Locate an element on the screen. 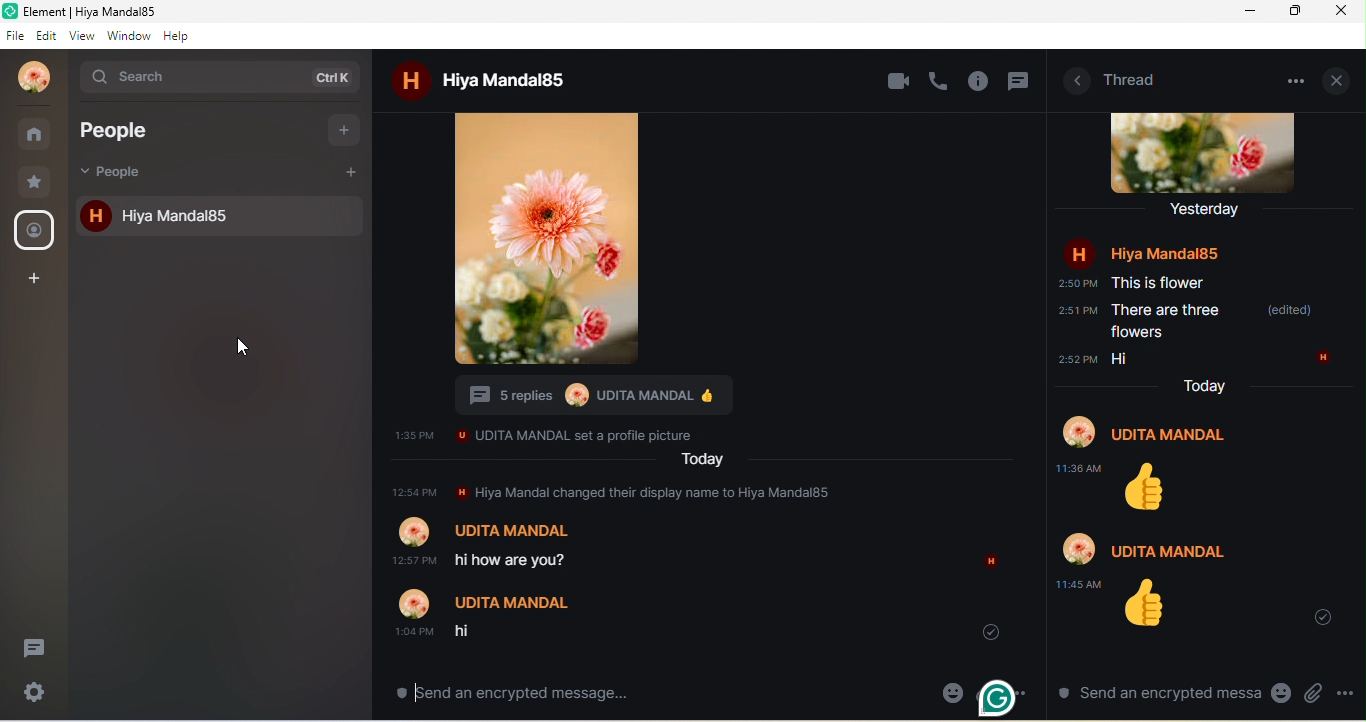 Image resolution: width=1366 pixels, height=722 pixels. file is located at coordinates (15, 34).